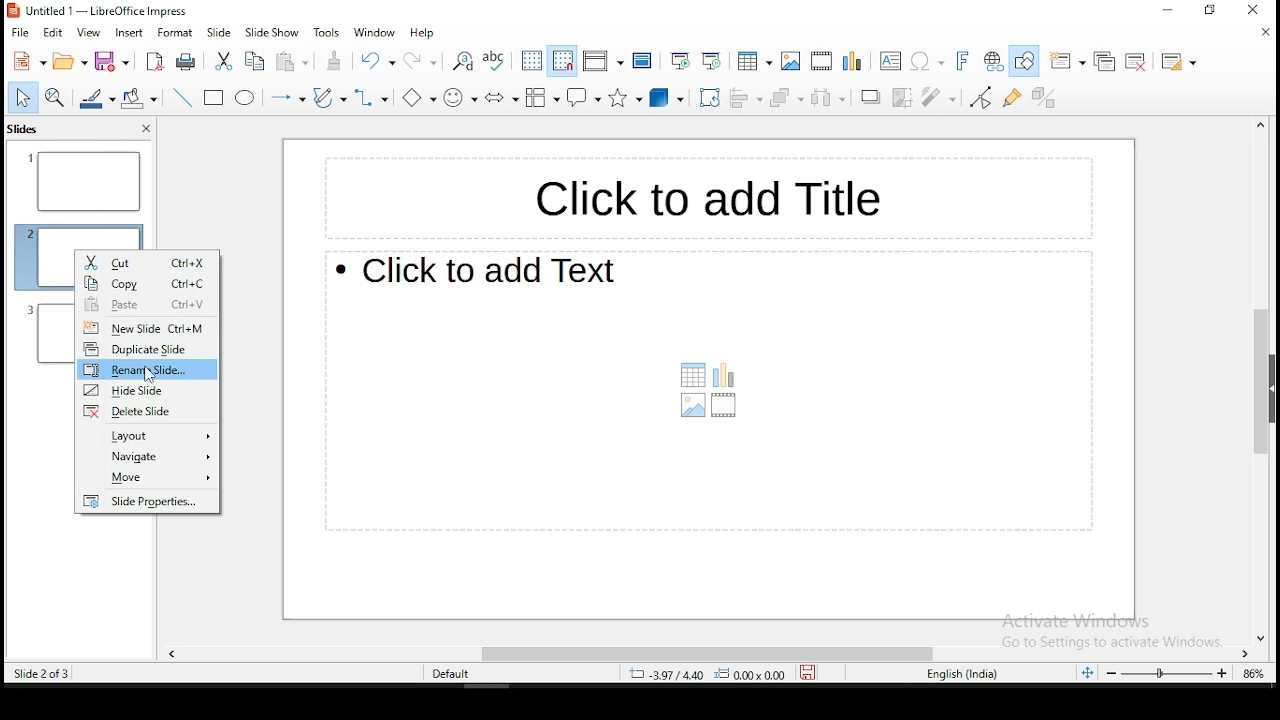  Describe the element at coordinates (1012, 98) in the screenshot. I see `show gluepoint functions` at that location.